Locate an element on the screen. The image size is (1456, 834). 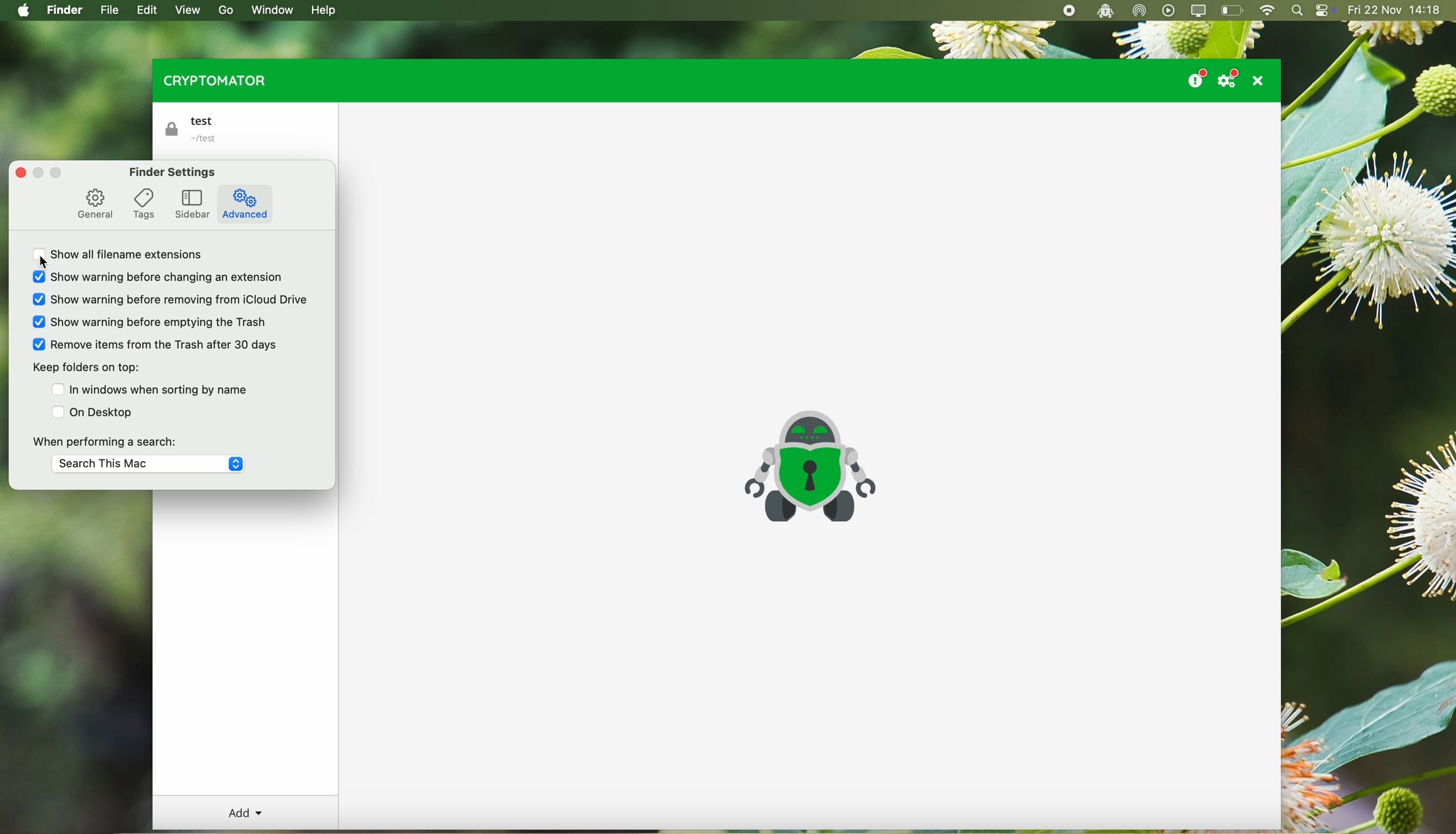
Apple icon is located at coordinates (20, 10).